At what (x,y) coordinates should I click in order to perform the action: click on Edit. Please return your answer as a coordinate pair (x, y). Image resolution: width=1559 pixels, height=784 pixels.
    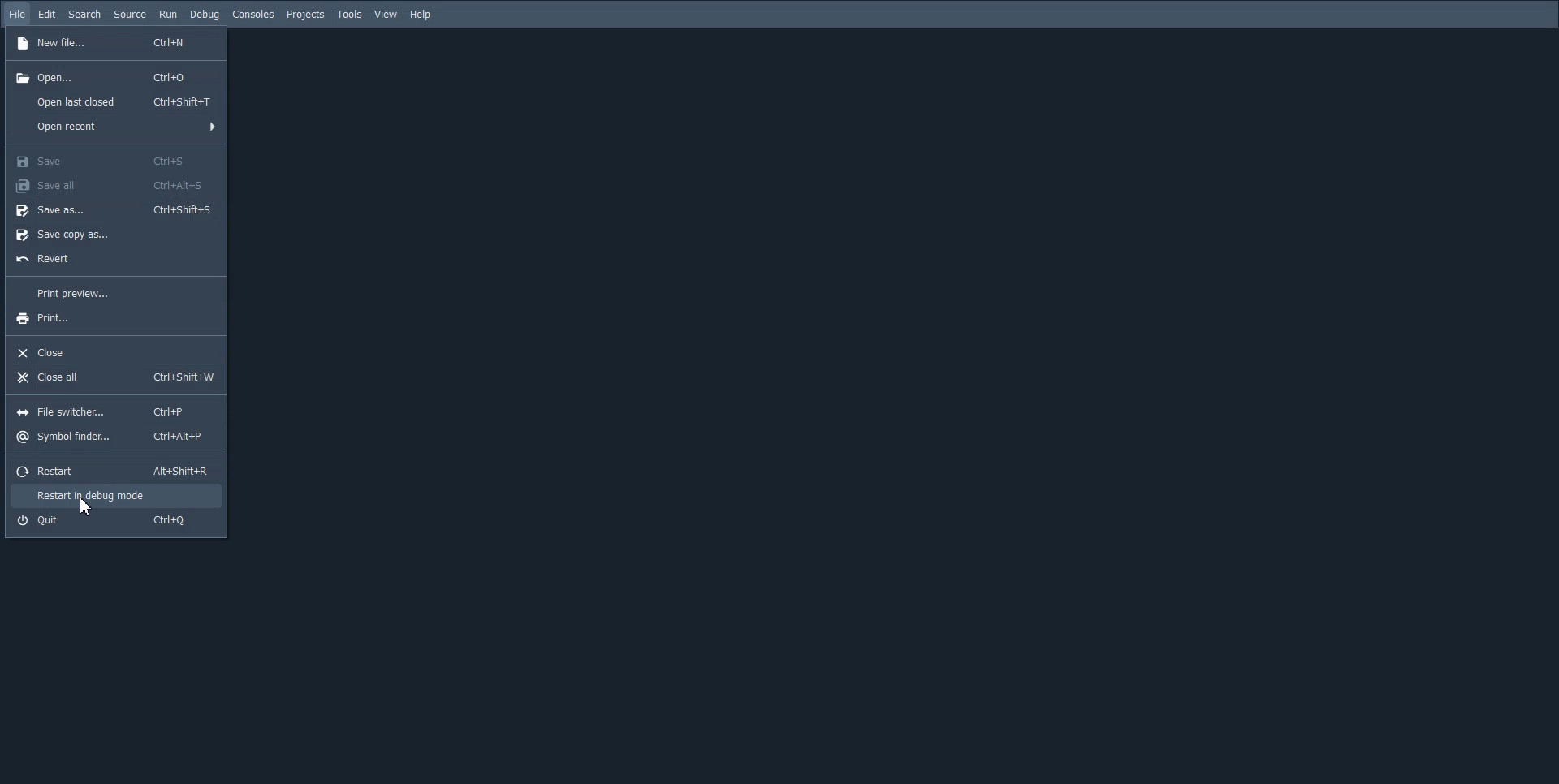
    Looking at the image, I should click on (47, 14).